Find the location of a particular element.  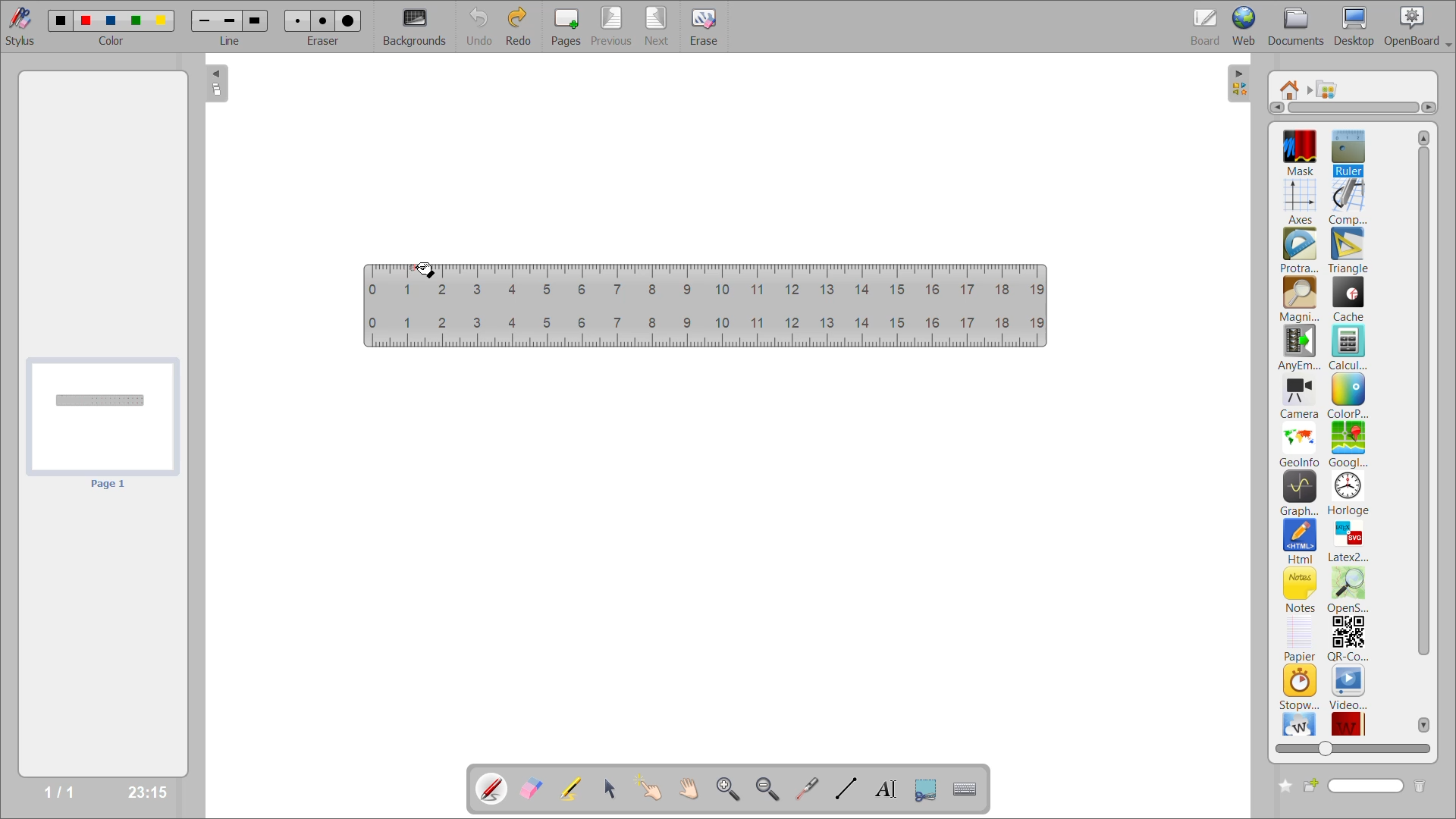

color 1 is located at coordinates (57, 20).